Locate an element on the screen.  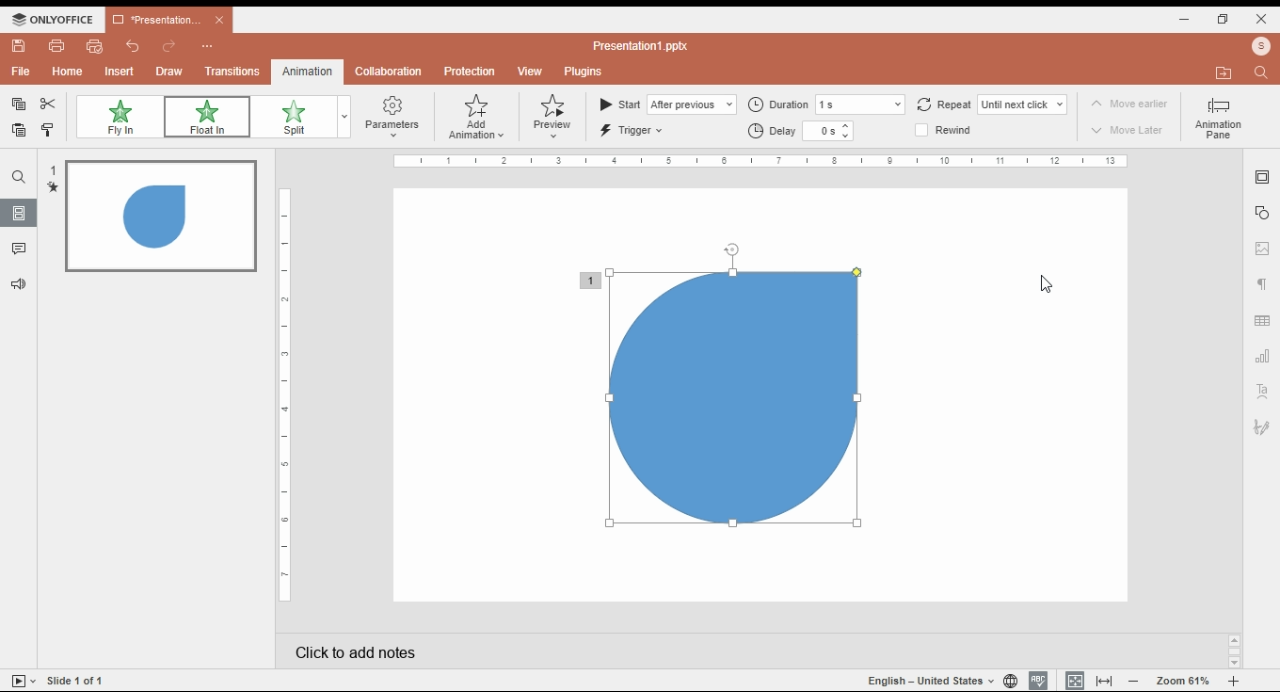
fly in is located at coordinates (119, 117).